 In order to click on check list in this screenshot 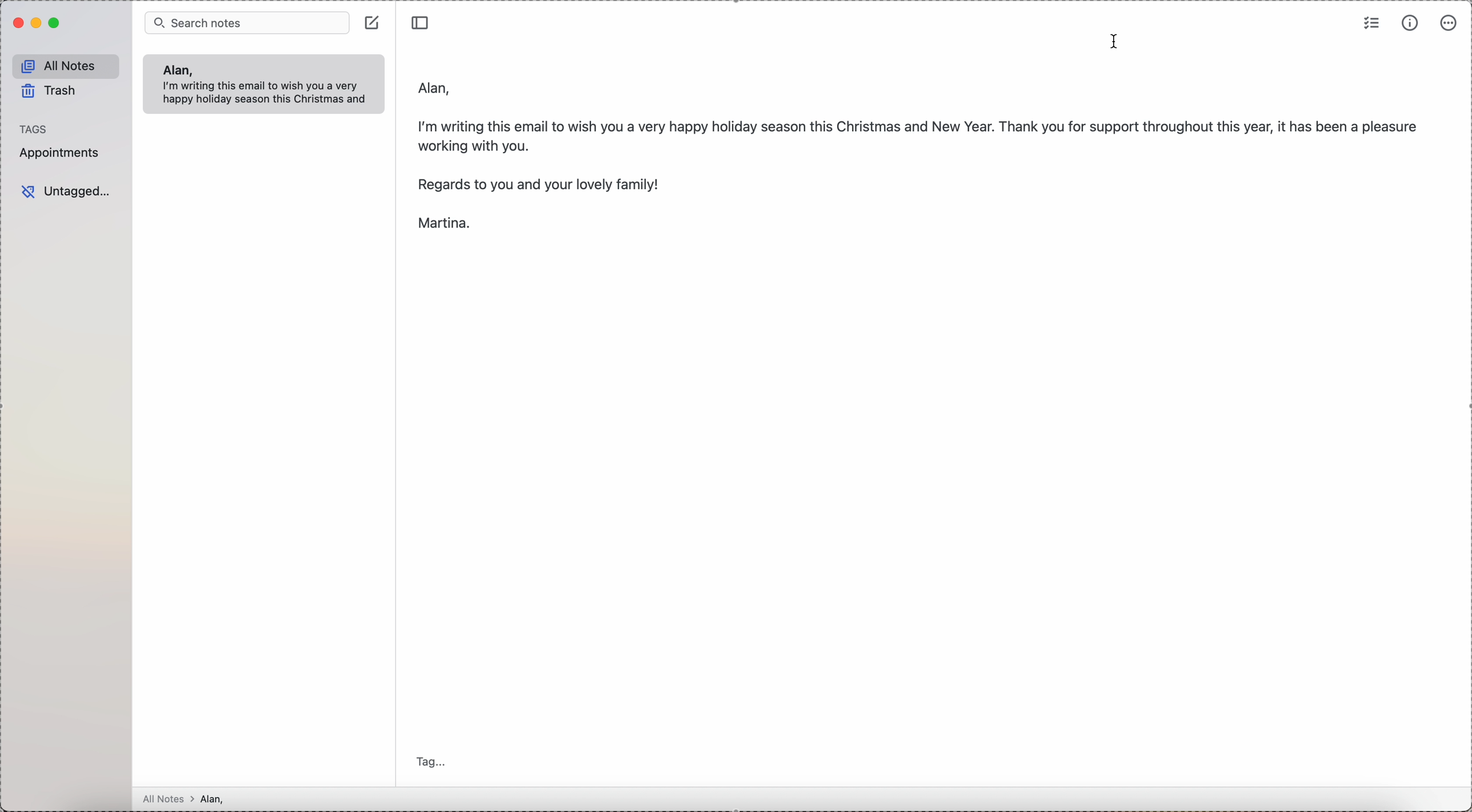, I will do `click(1372, 22)`.